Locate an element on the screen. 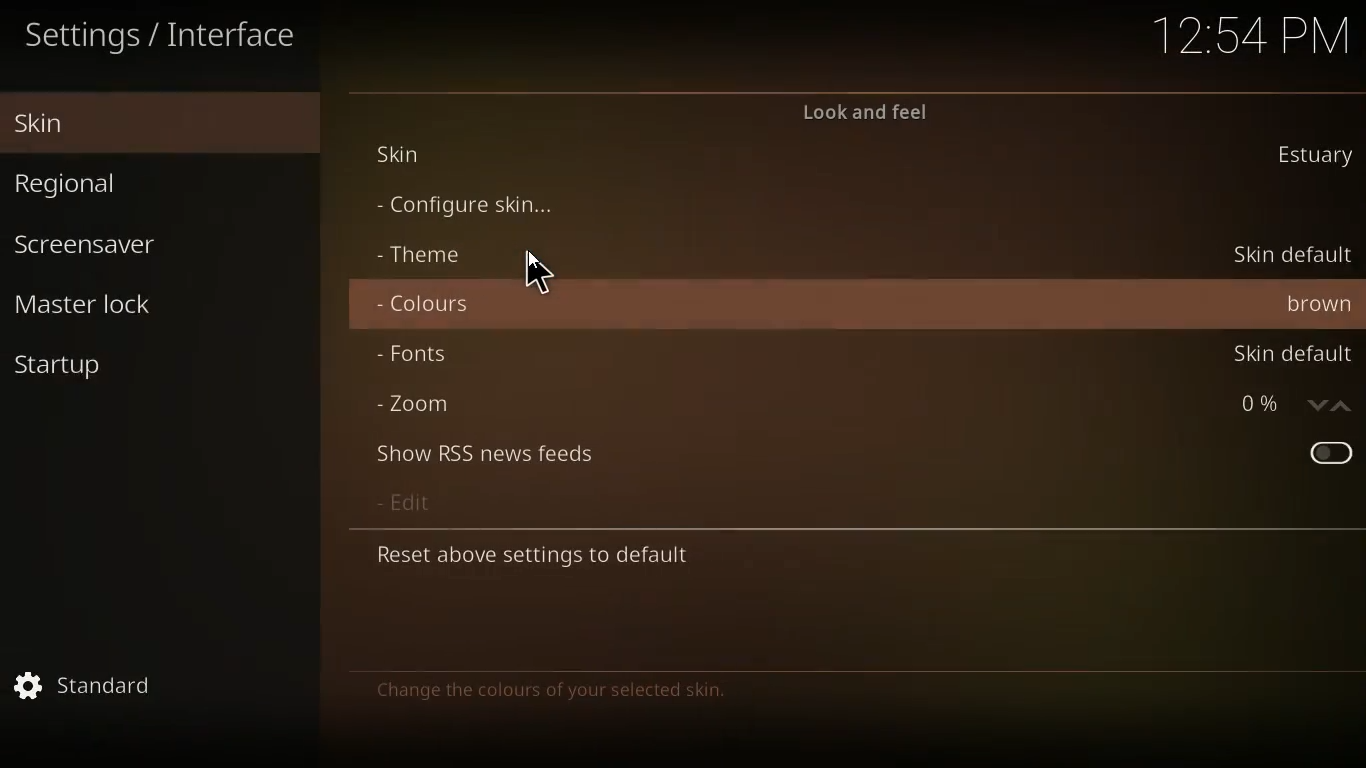 This screenshot has height=768, width=1366. - Fonts is located at coordinates (412, 357).